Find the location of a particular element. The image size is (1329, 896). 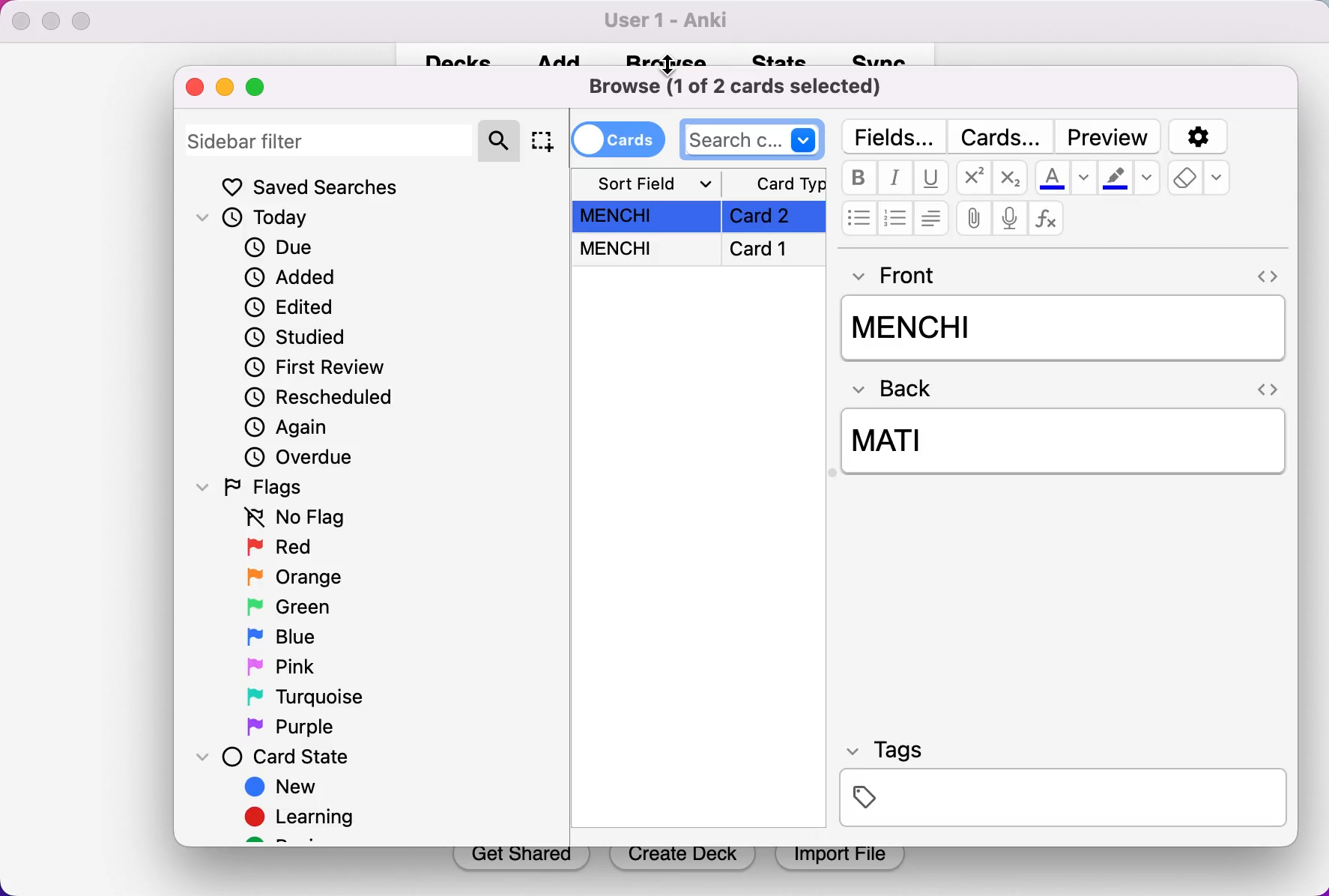

learning is located at coordinates (307, 820).